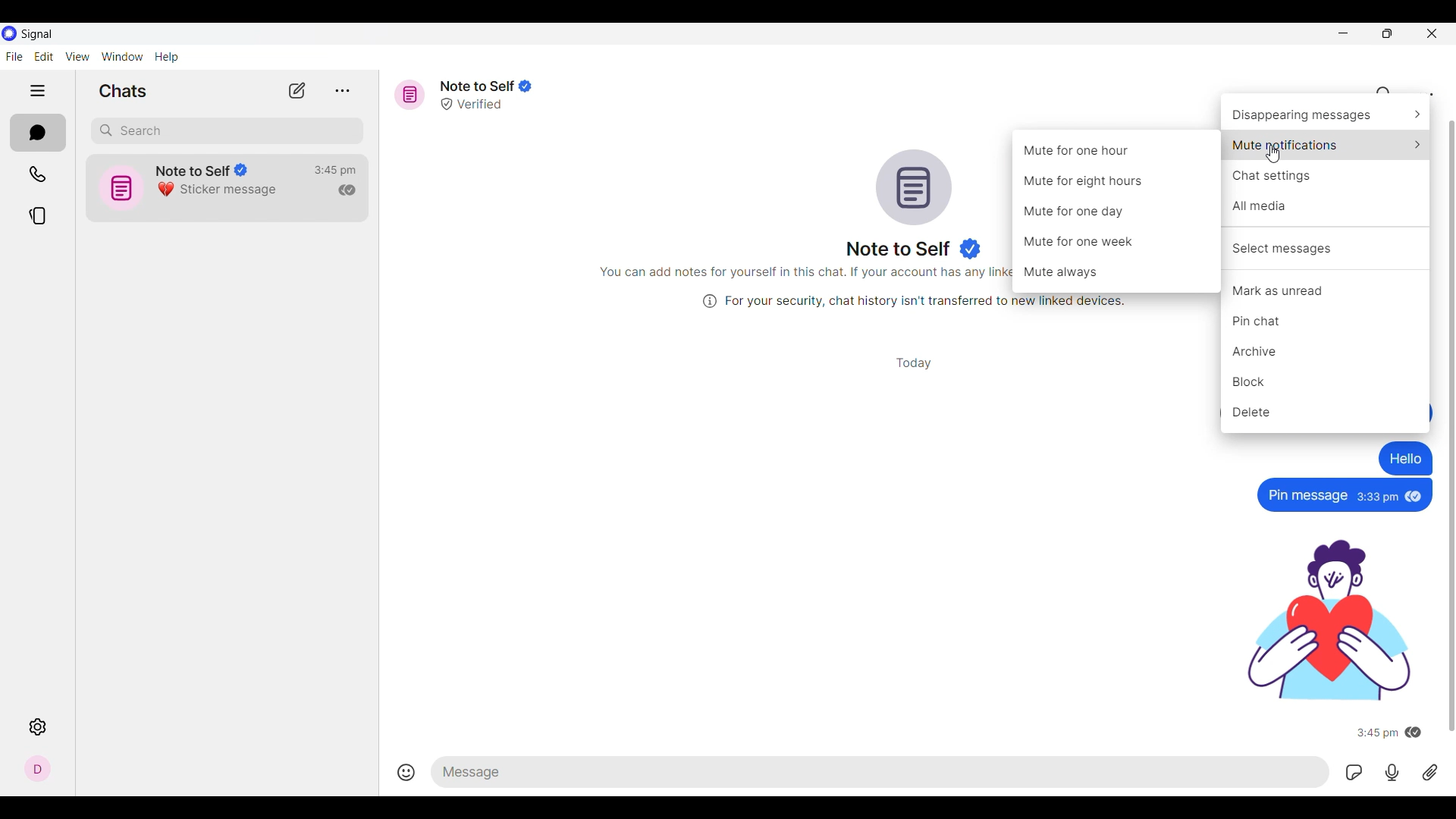 This screenshot has height=819, width=1456. I want to click on cursor, so click(1273, 155).